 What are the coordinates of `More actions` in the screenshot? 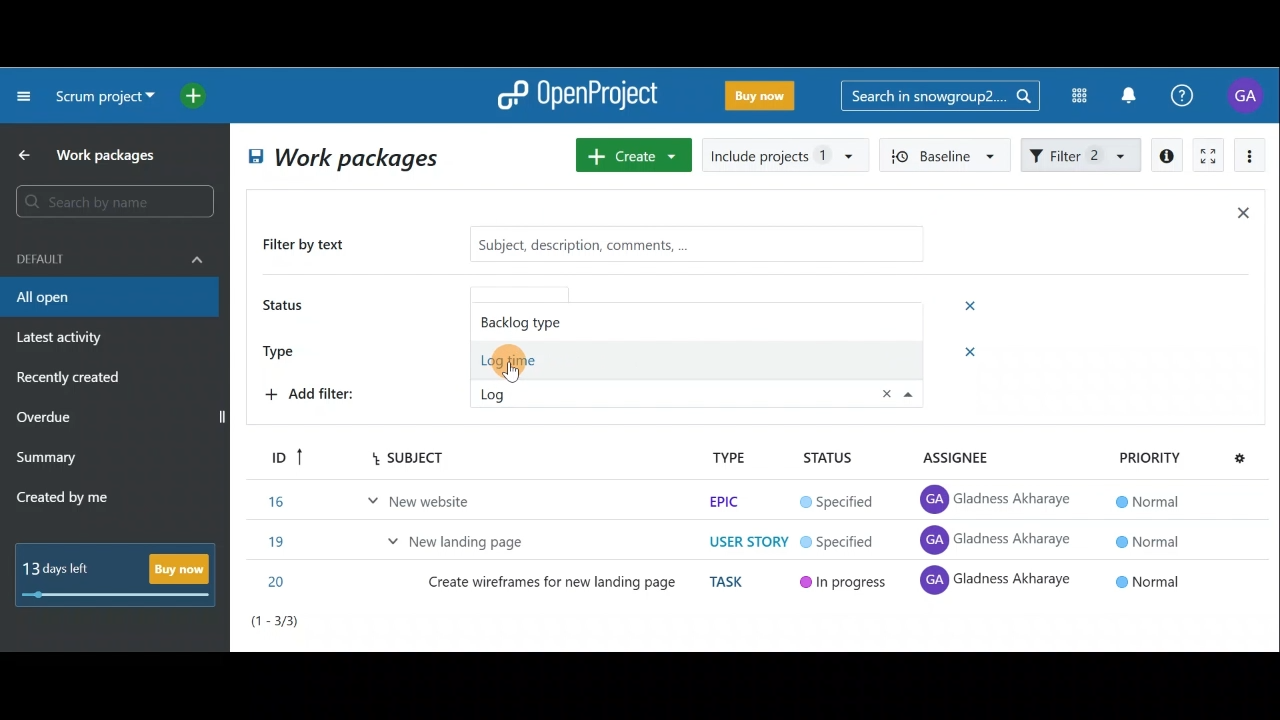 It's located at (1250, 159).